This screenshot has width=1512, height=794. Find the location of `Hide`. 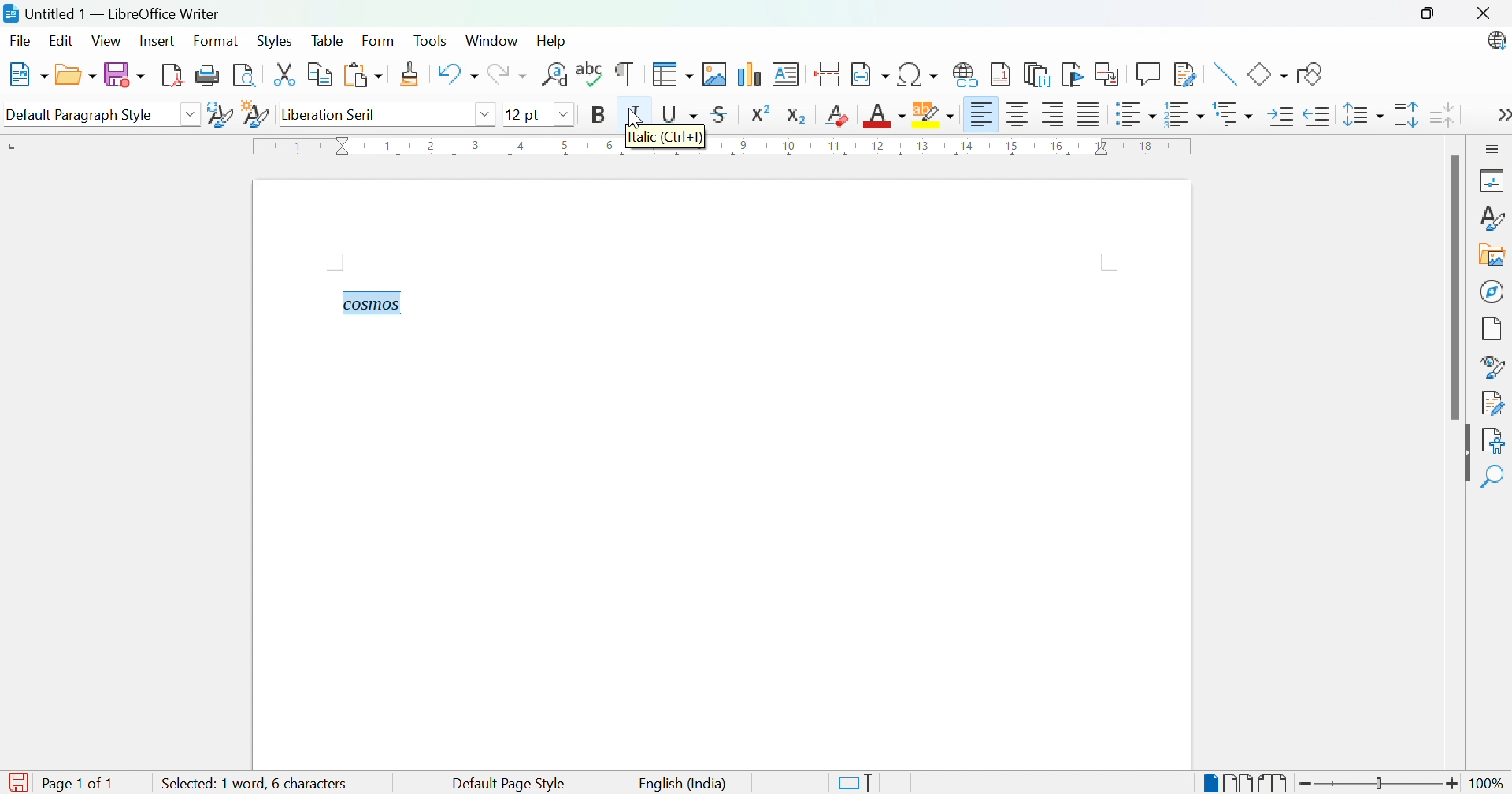

Hide is located at coordinates (1464, 454).